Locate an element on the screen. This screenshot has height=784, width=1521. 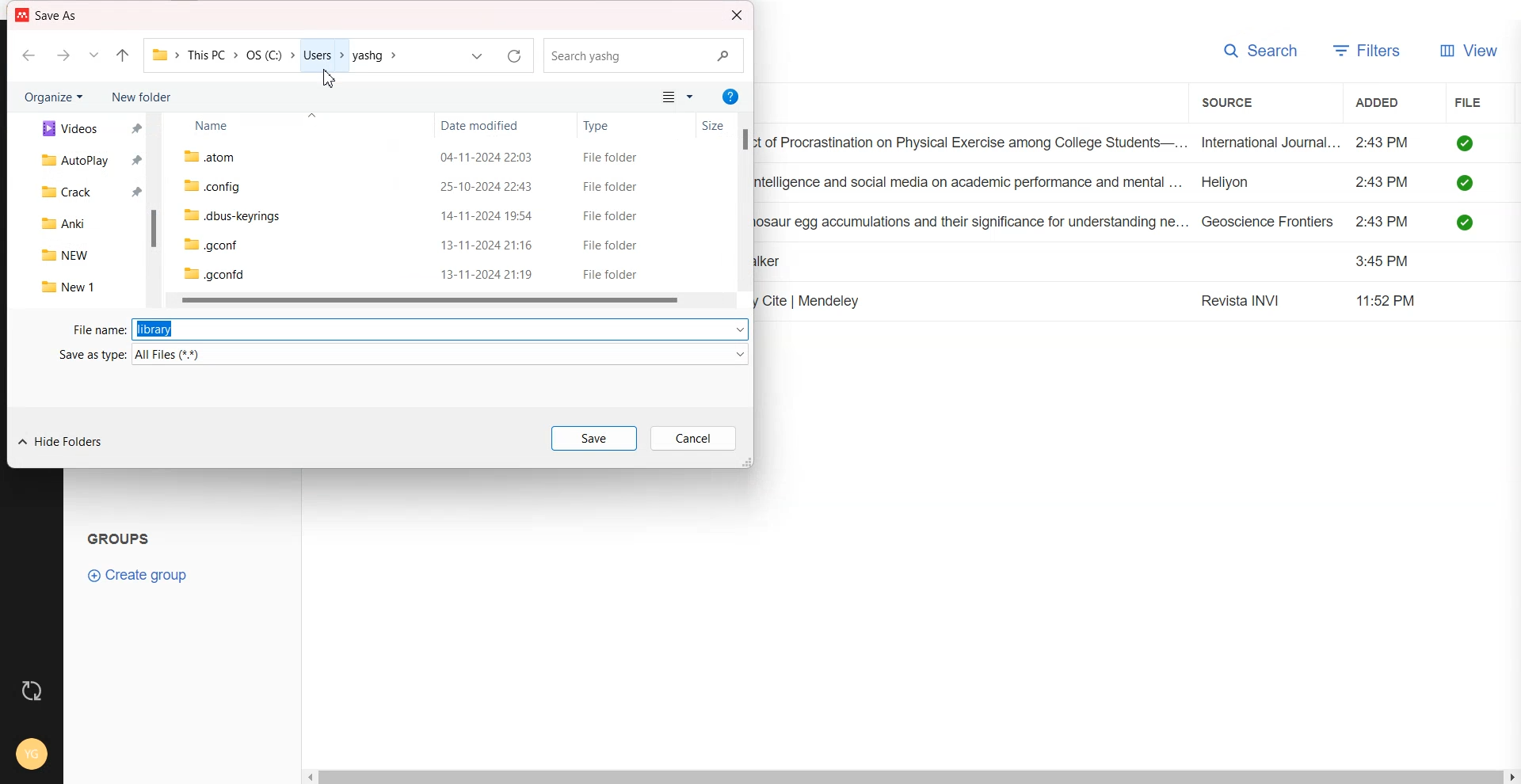
Close is located at coordinates (735, 15).